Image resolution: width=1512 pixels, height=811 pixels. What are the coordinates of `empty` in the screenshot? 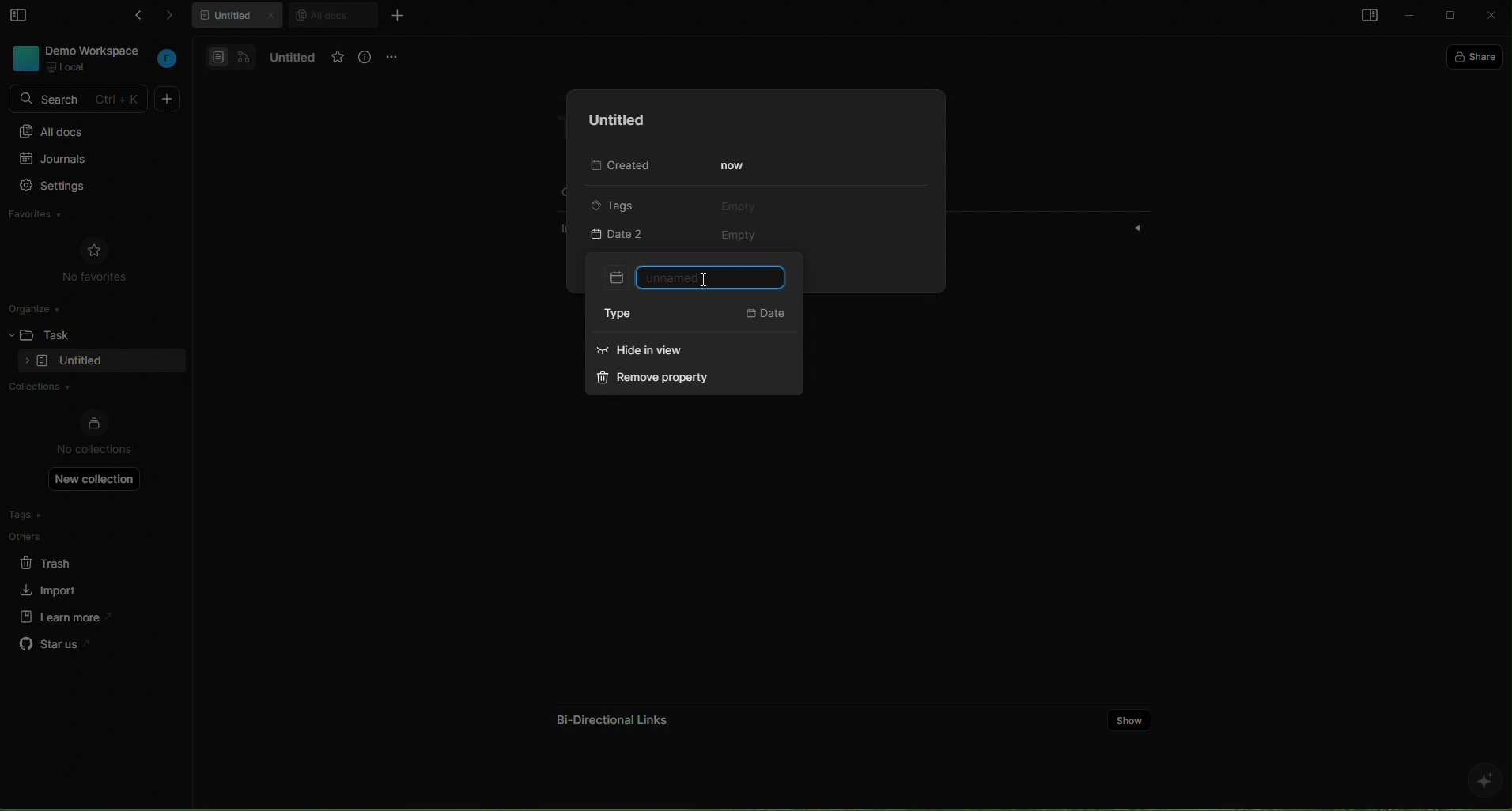 It's located at (741, 236).